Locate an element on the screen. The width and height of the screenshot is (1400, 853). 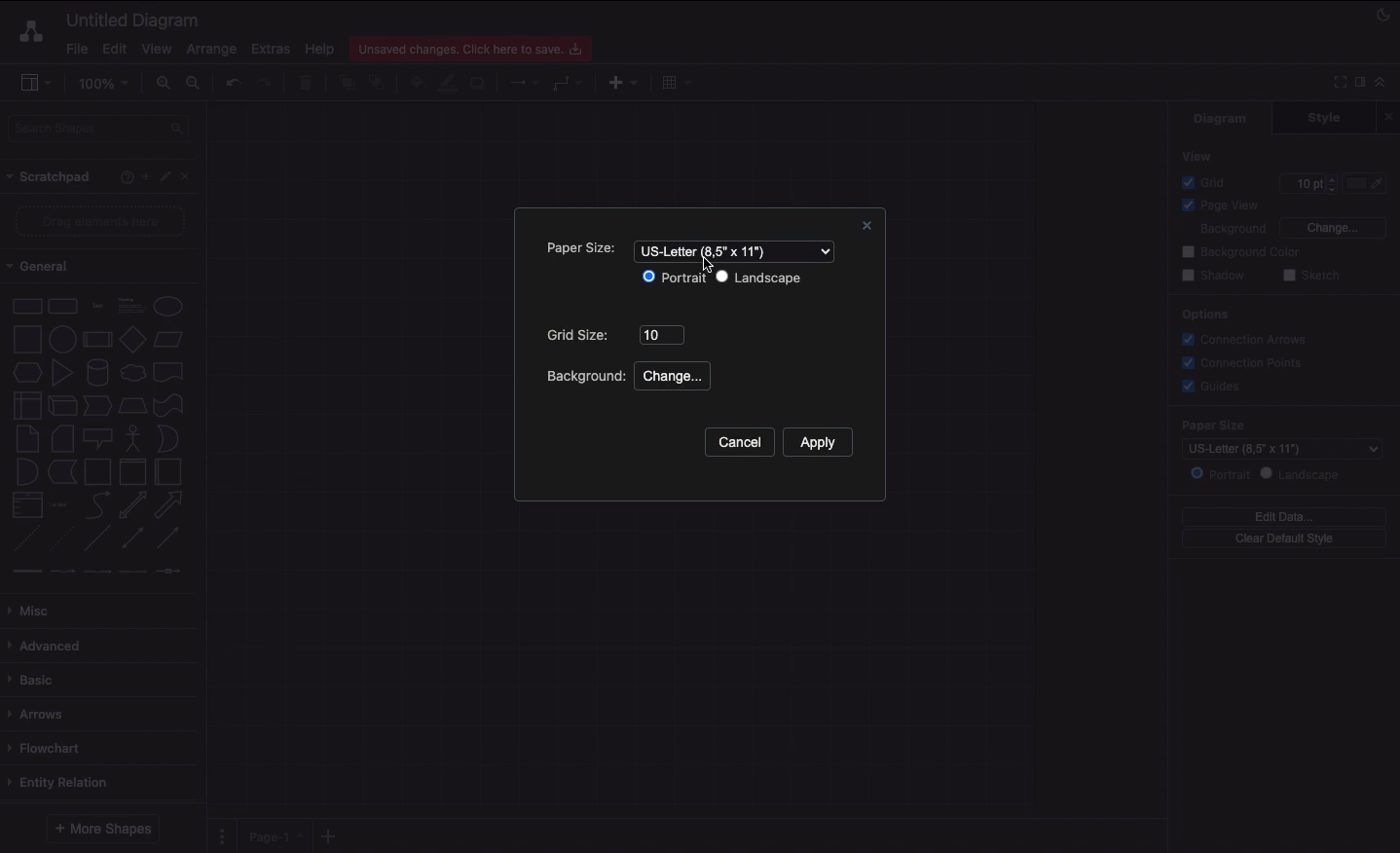
Circle is located at coordinates (168, 306).